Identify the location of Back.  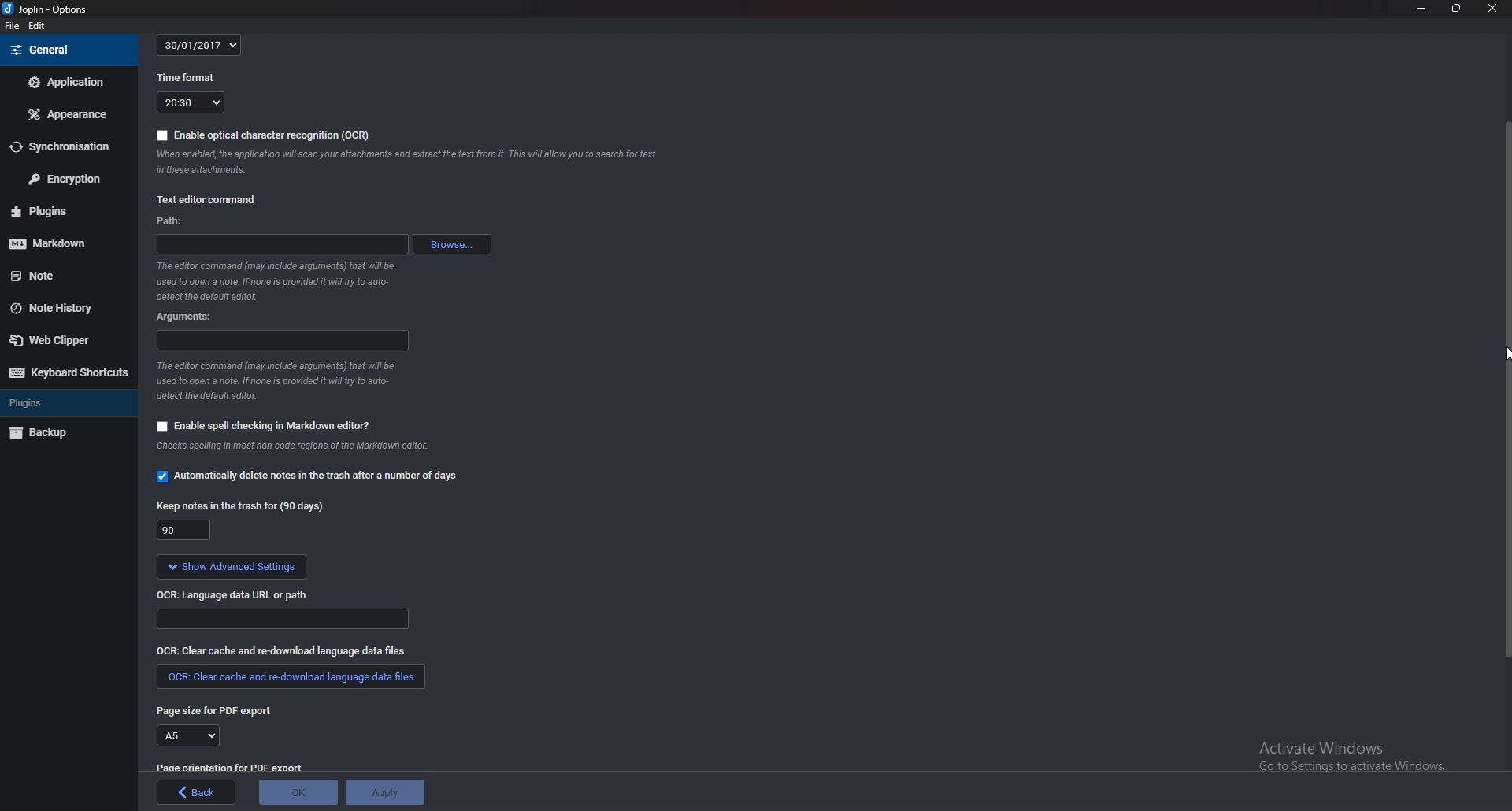
(197, 792).